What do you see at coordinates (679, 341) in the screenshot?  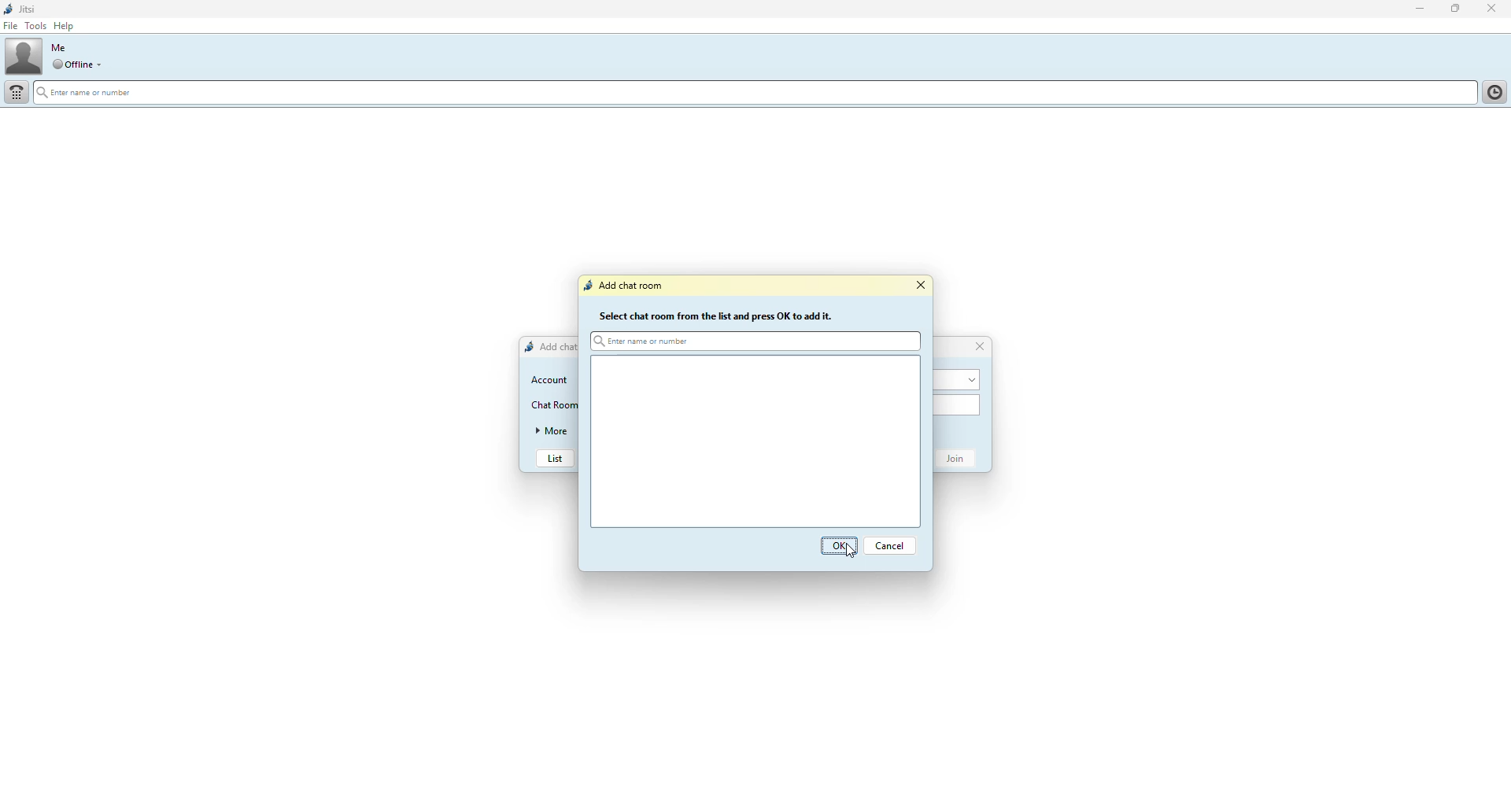 I see `Enter name or number` at bounding box center [679, 341].